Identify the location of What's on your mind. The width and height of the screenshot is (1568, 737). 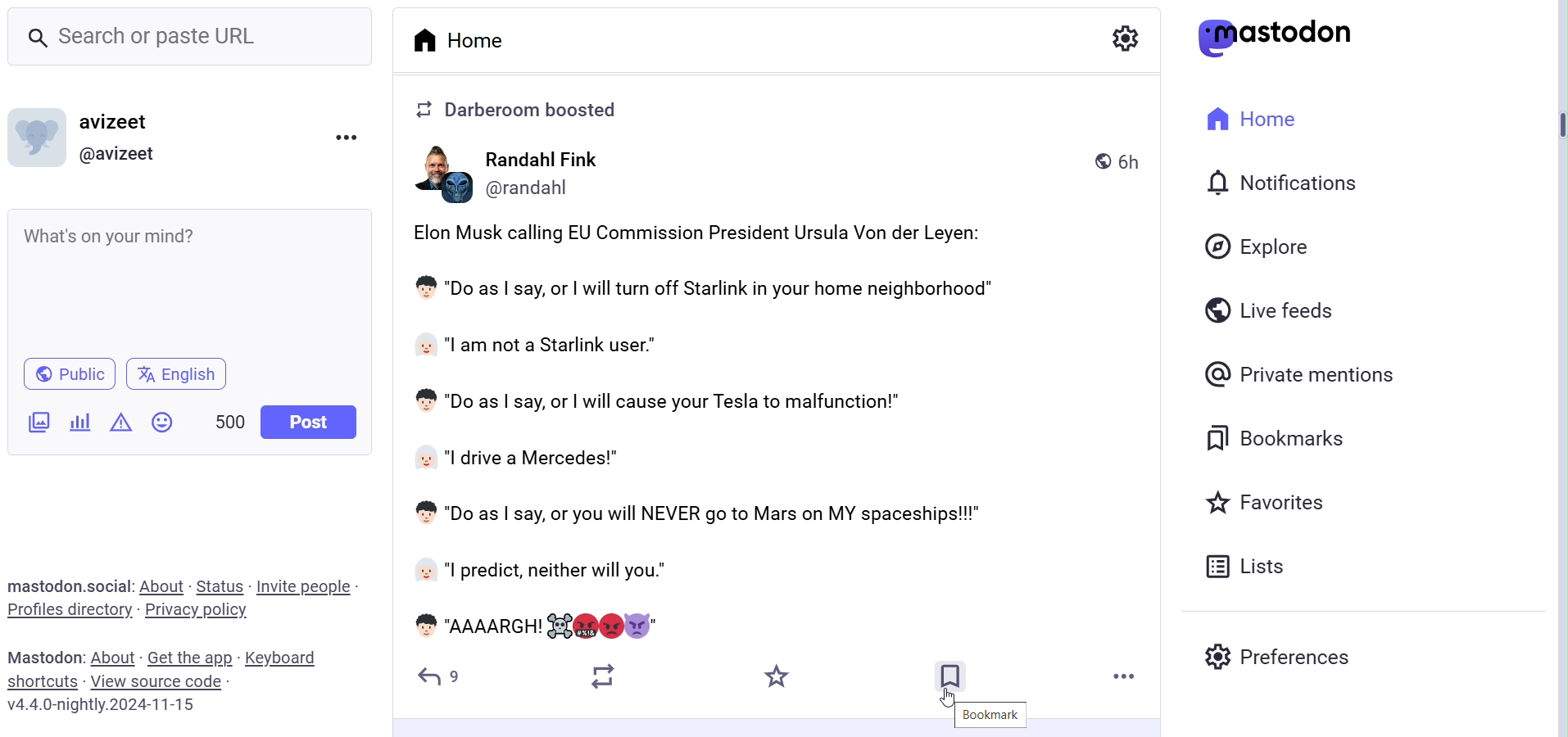
(191, 281).